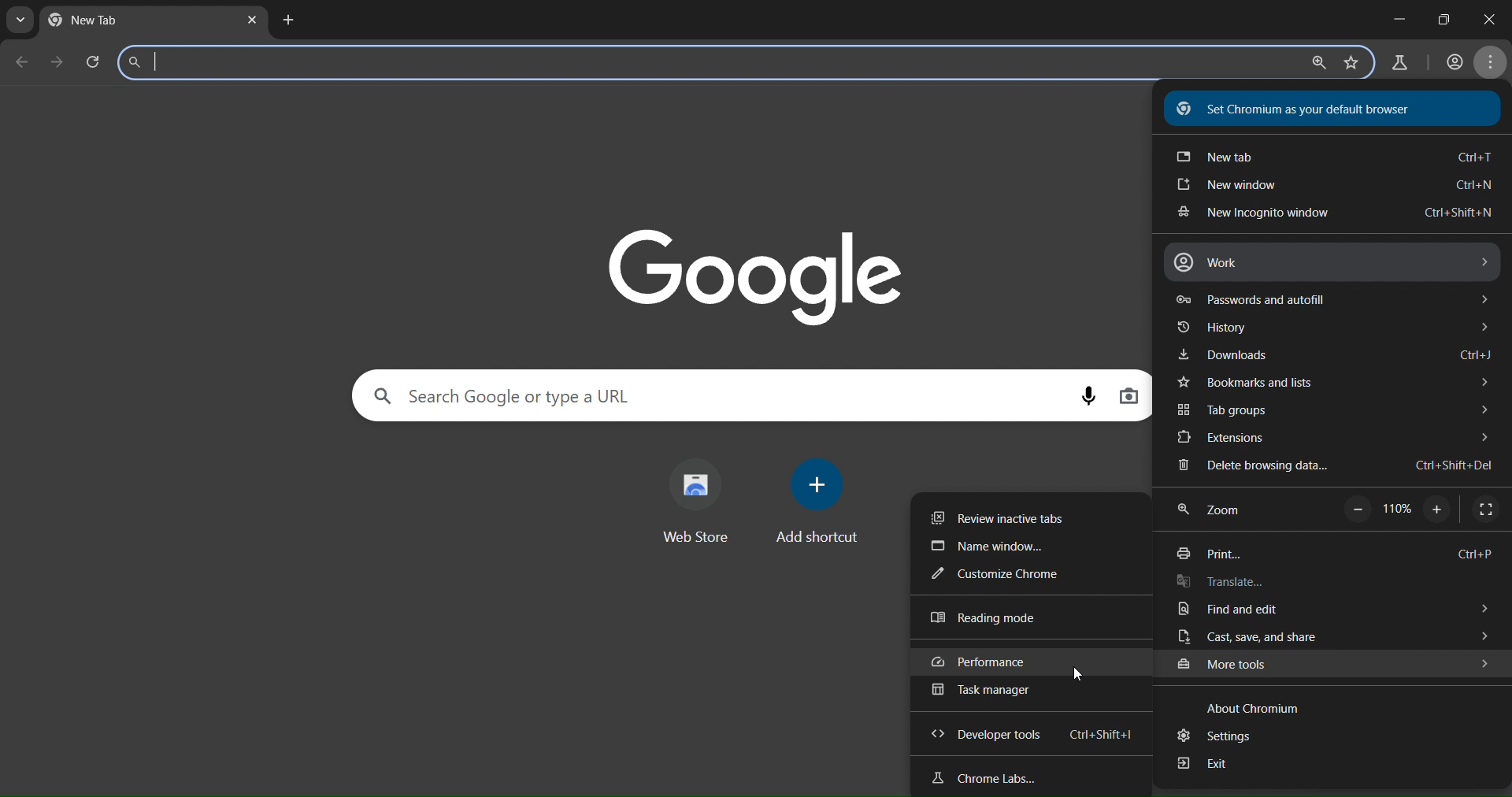  I want to click on new window Ctrl+N, so click(1331, 187).